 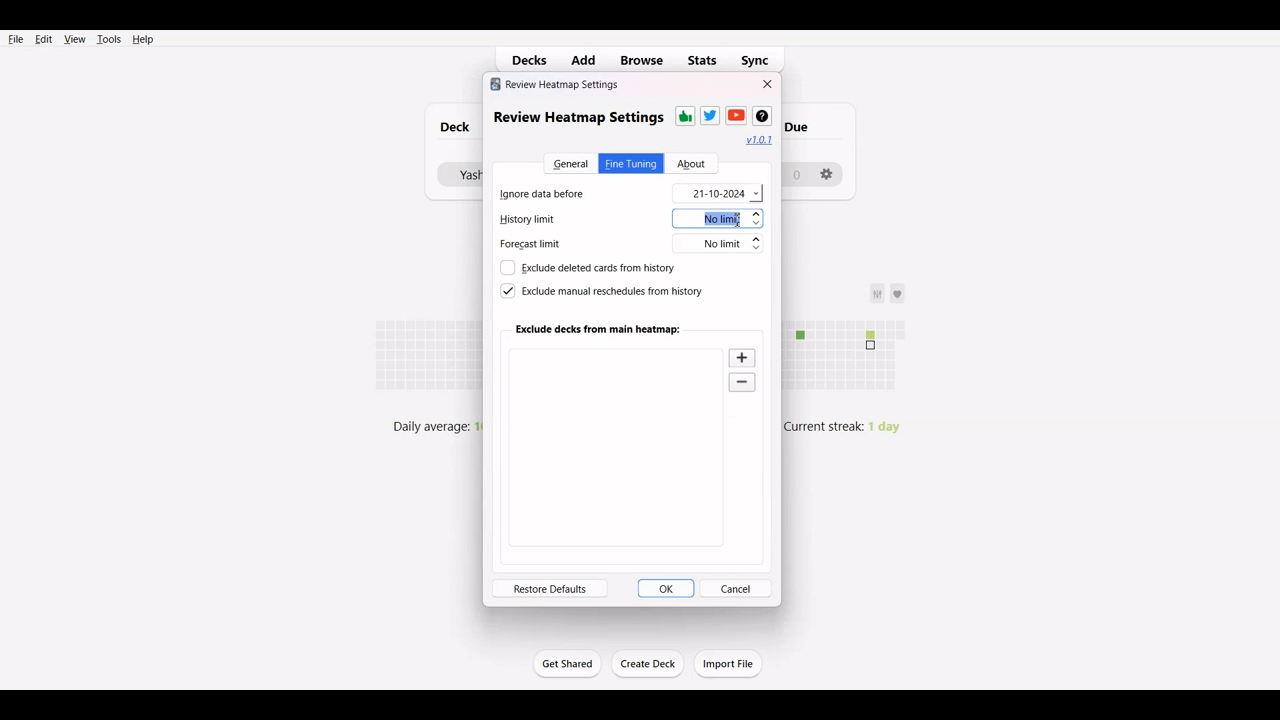 What do you see at coordinates (587, 59) in the screenshot?
I see `Add` at bounding box center [587, 59].